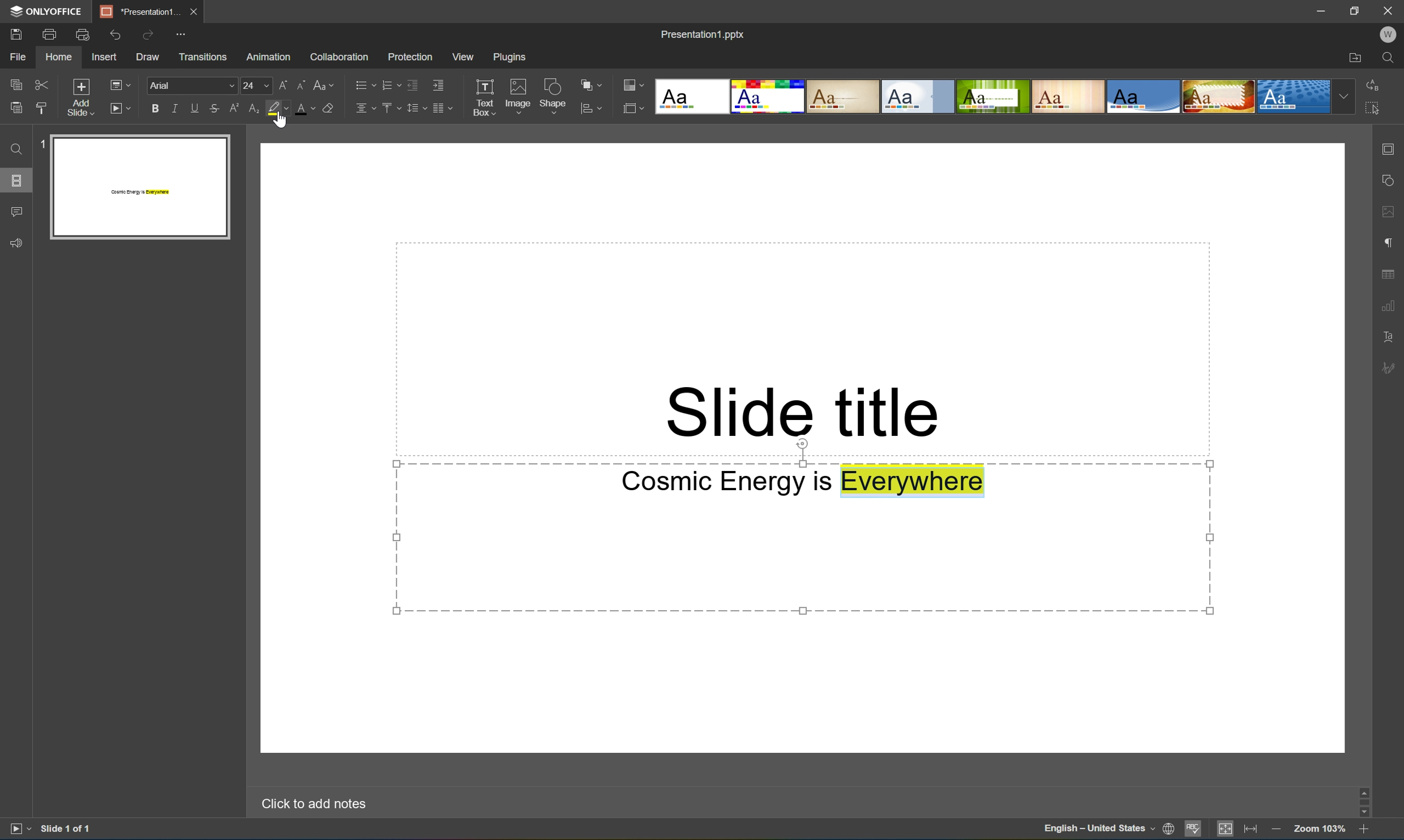  I want to click on Zoom 100%, so click(1320, 830).